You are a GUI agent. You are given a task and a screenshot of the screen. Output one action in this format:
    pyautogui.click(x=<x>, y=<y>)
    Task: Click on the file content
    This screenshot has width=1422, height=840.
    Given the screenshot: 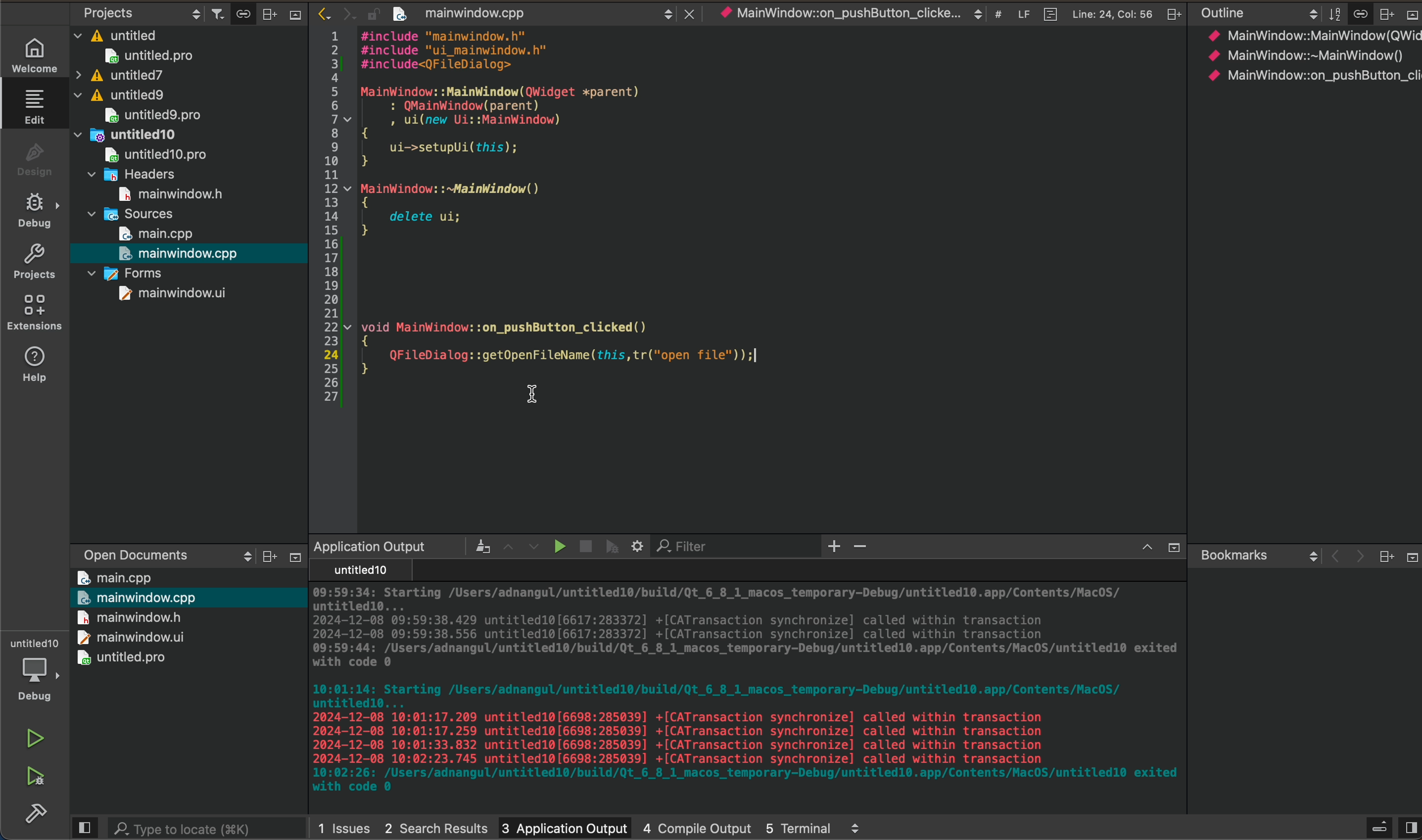 What is the action you would take?
    pyautogui.click(x=773, y=205)
    